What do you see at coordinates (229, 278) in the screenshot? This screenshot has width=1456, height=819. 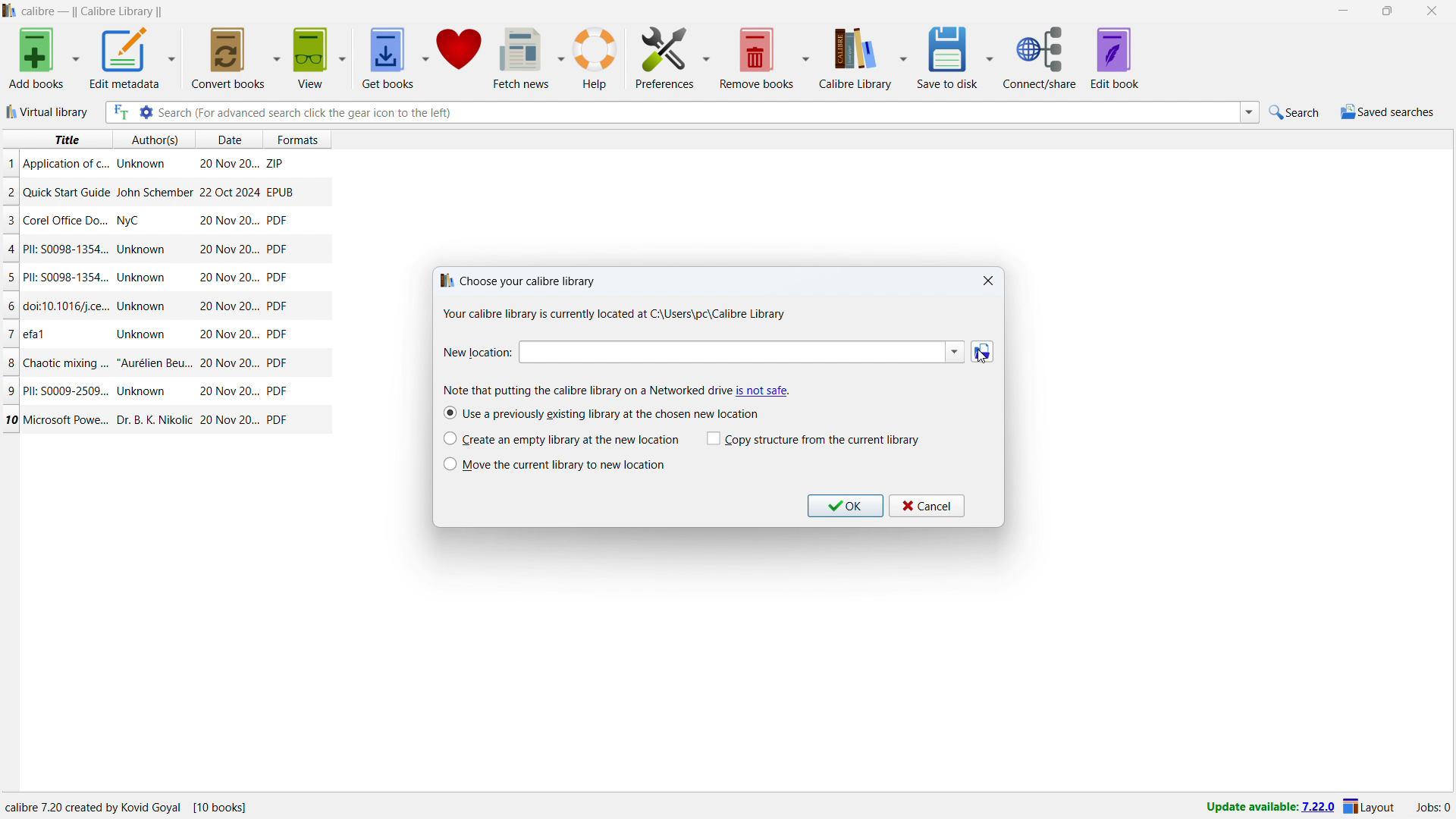 I see `Date` at bounding box center [229, 278].